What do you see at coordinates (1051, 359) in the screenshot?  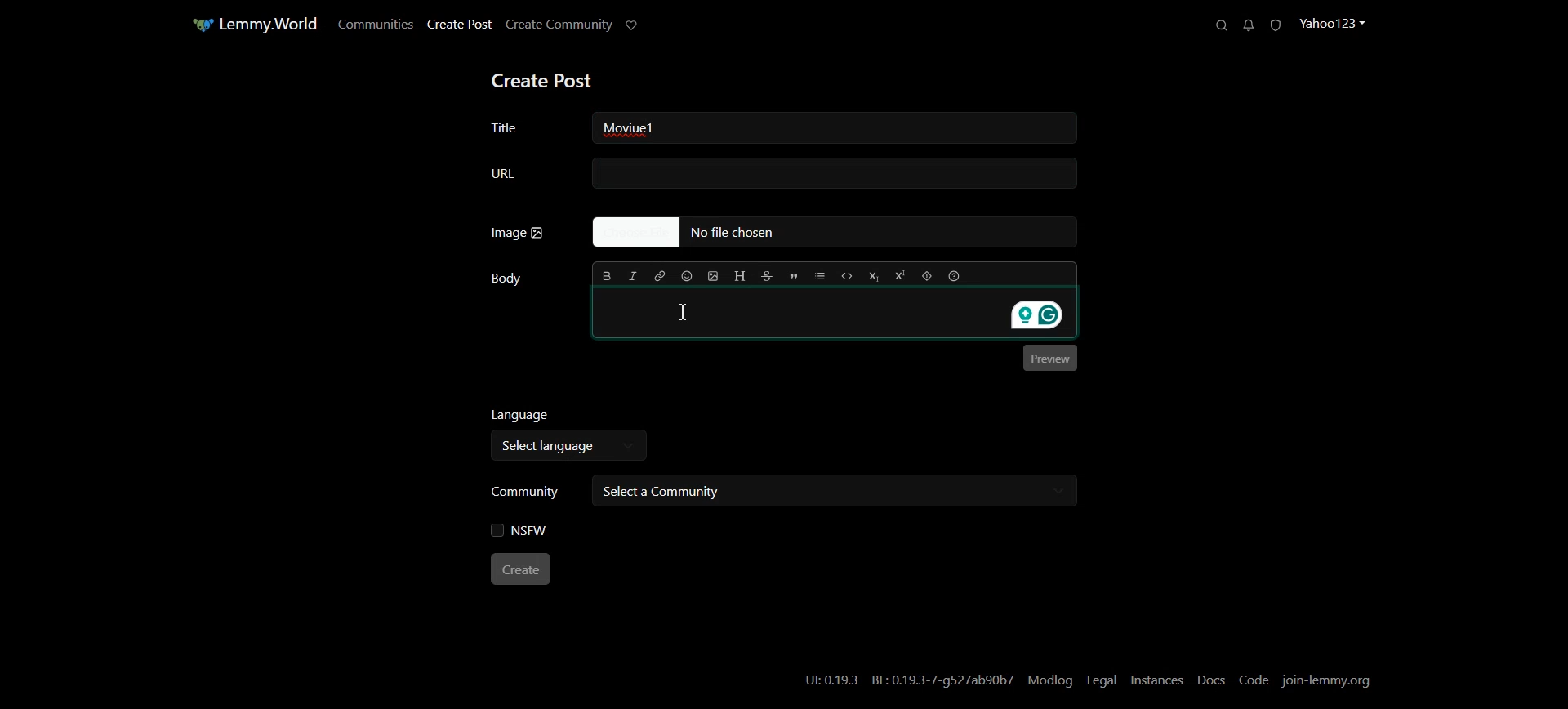 I see `Preview` at bounding box center [1051, 359].